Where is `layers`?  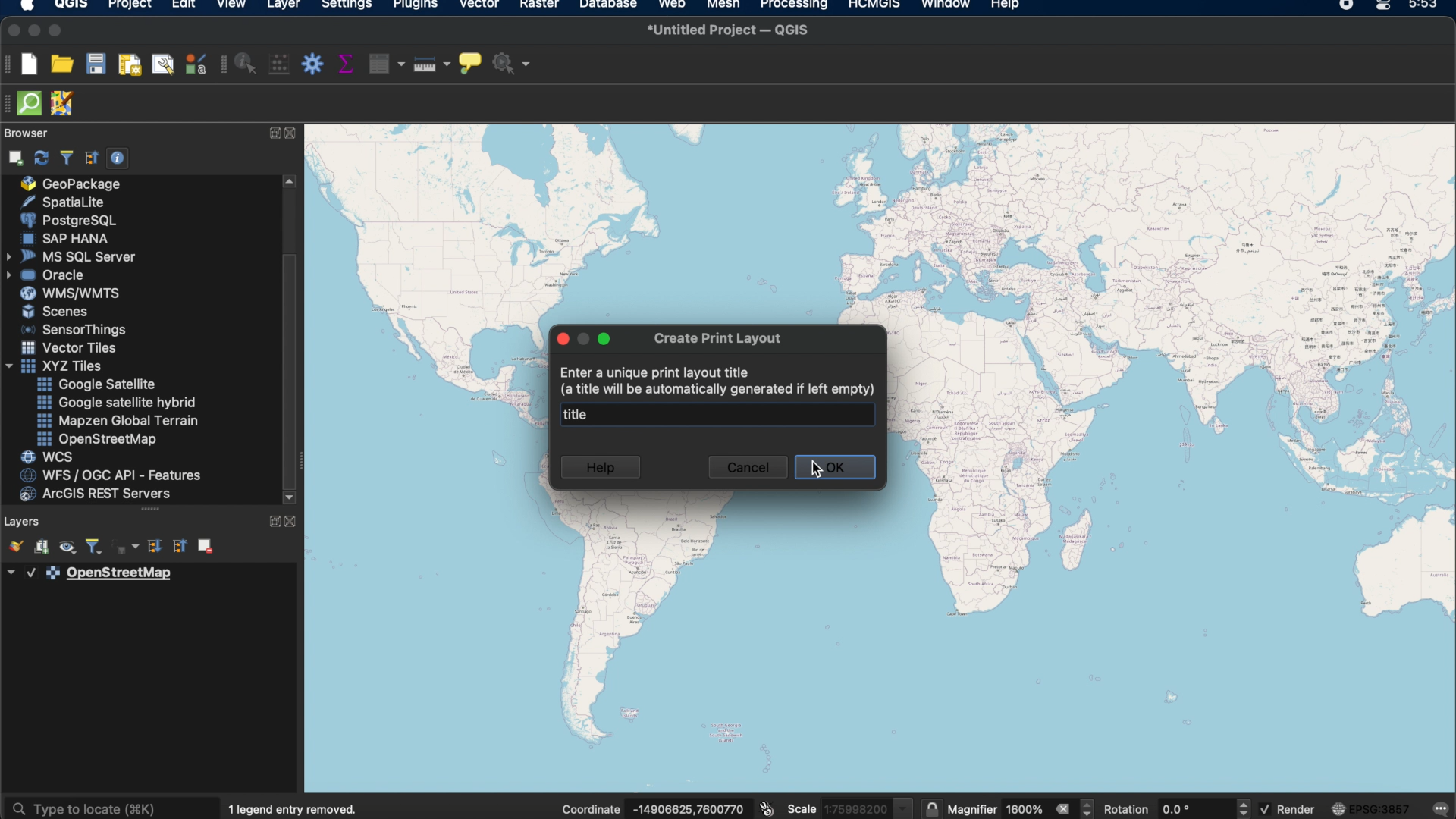
layers is located at coordinates (21, 520).